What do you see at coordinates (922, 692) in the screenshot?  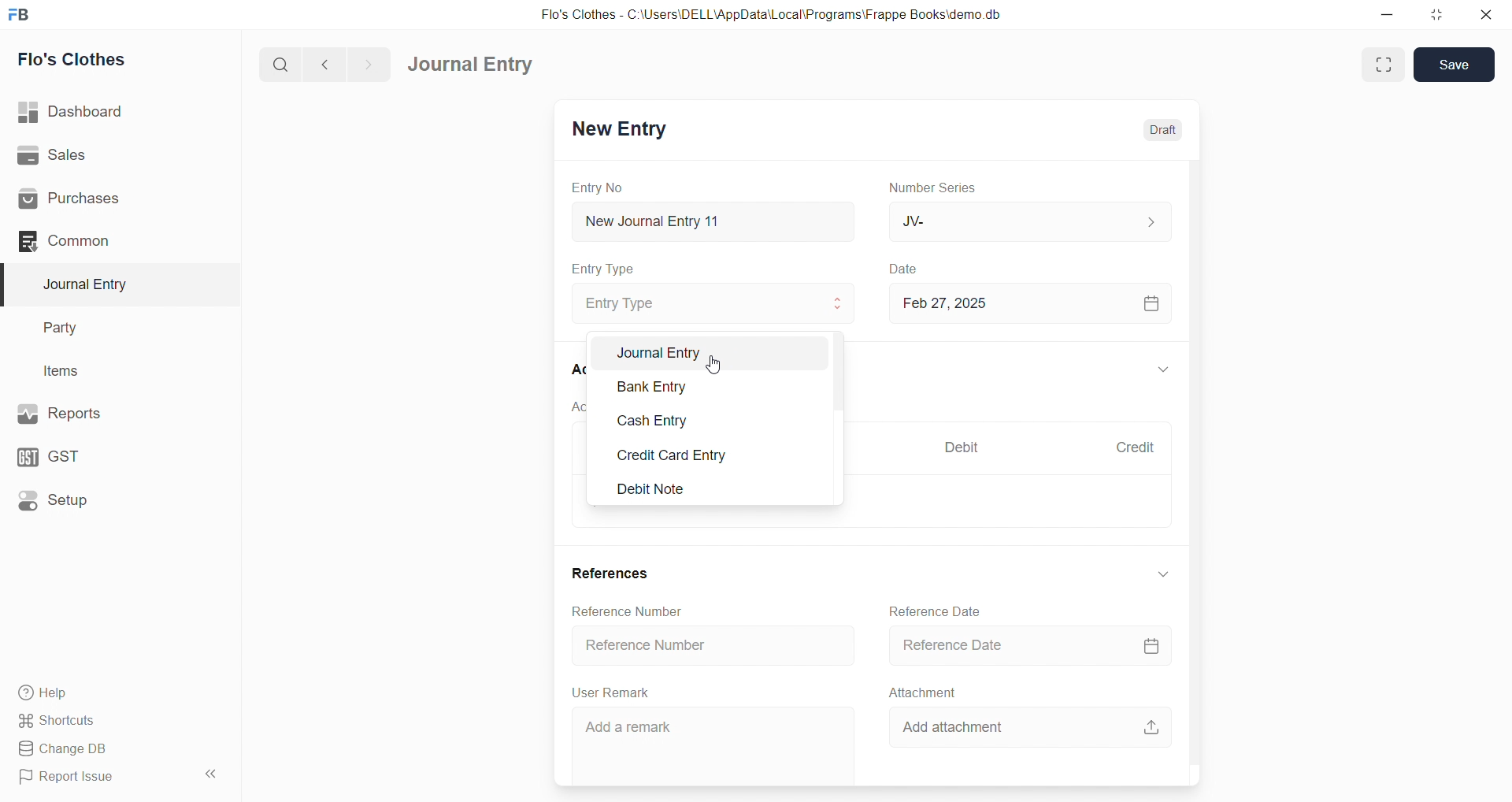 I see `Attachment` at bounding box center [922, 692].